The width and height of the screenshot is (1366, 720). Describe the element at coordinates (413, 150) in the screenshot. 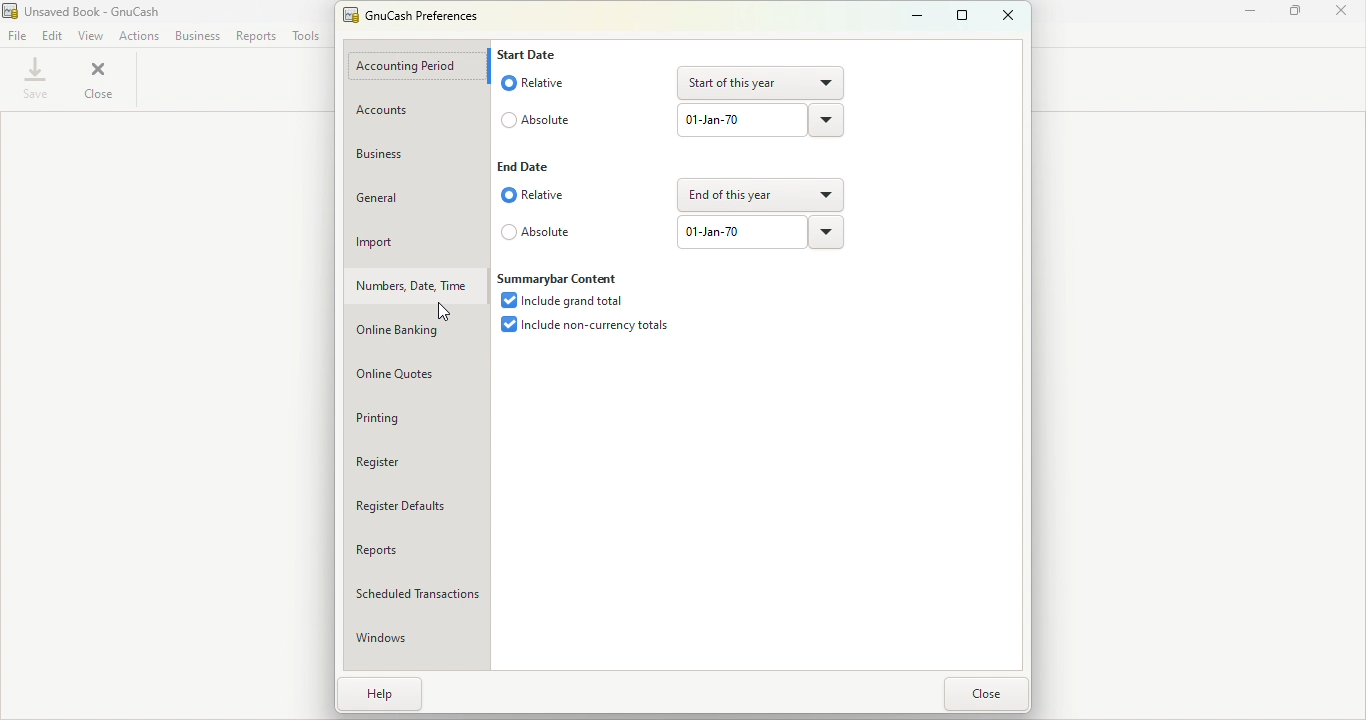

I see `Business` at that location.